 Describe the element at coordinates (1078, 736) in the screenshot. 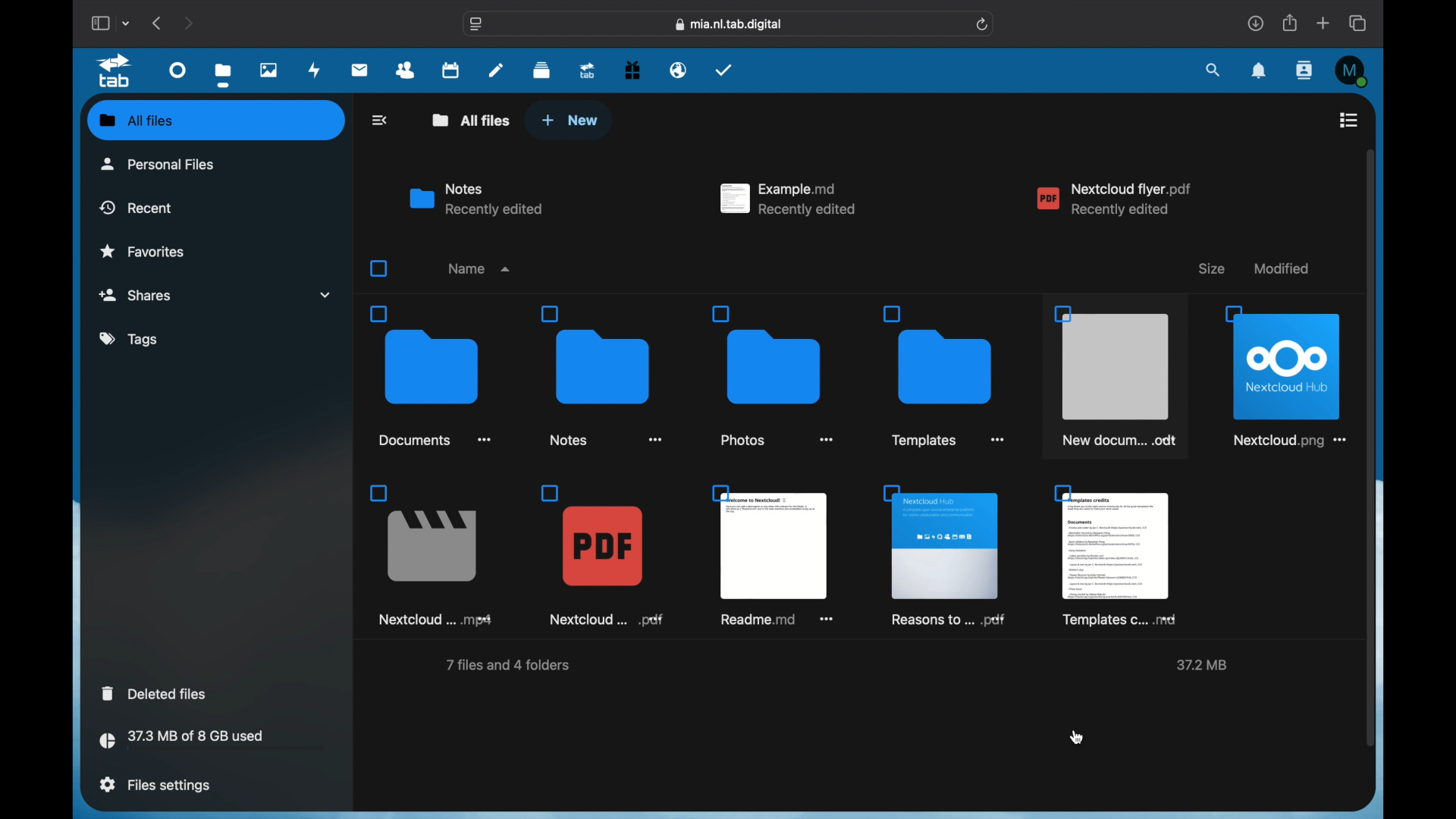

I see `cursor` at that location.